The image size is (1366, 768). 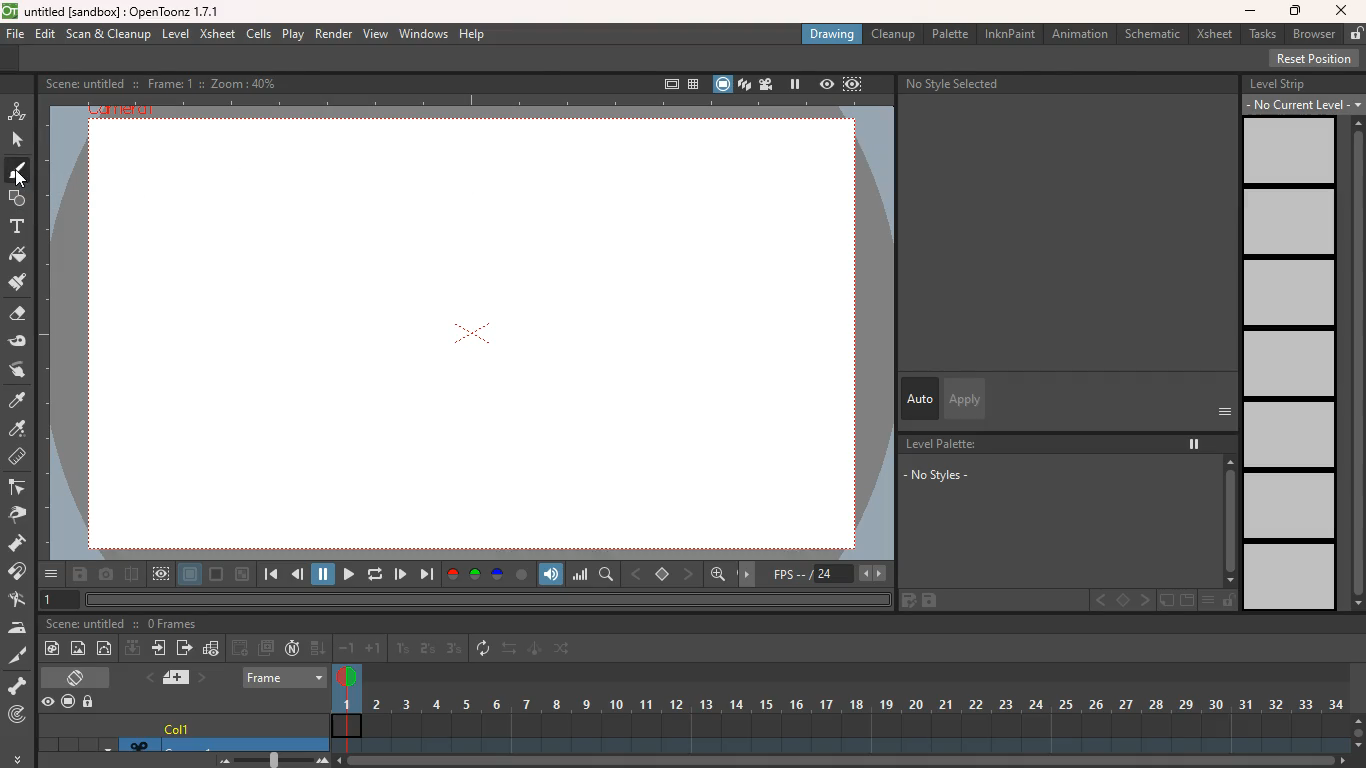 What do you see at coordinates (18, 109) in the screenshot?
I see `animation` at bounding box center [18, 109].